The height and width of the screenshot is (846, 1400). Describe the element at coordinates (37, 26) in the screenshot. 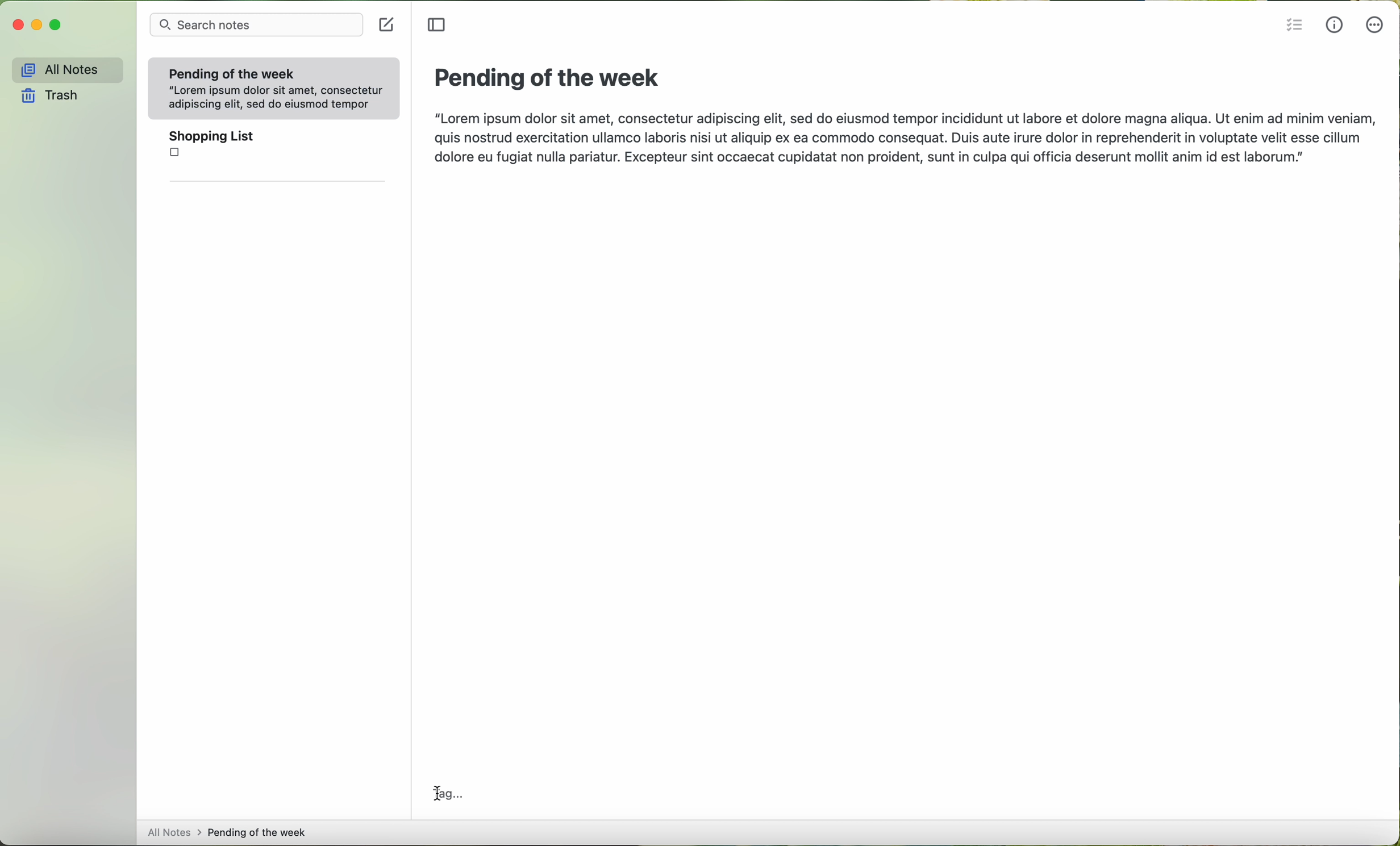

I see `minimize program` at that location.